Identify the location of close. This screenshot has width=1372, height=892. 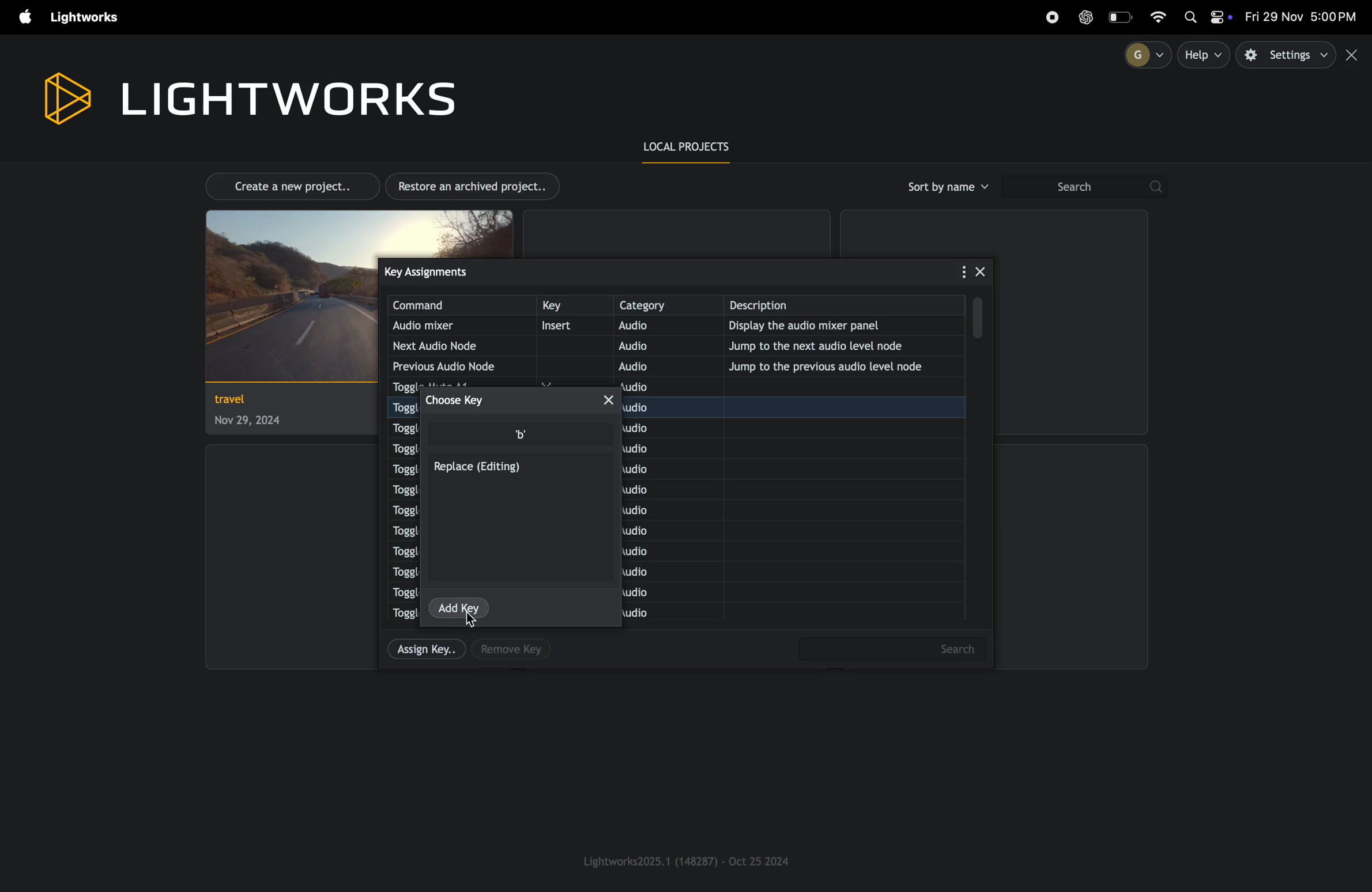
(617, 402).